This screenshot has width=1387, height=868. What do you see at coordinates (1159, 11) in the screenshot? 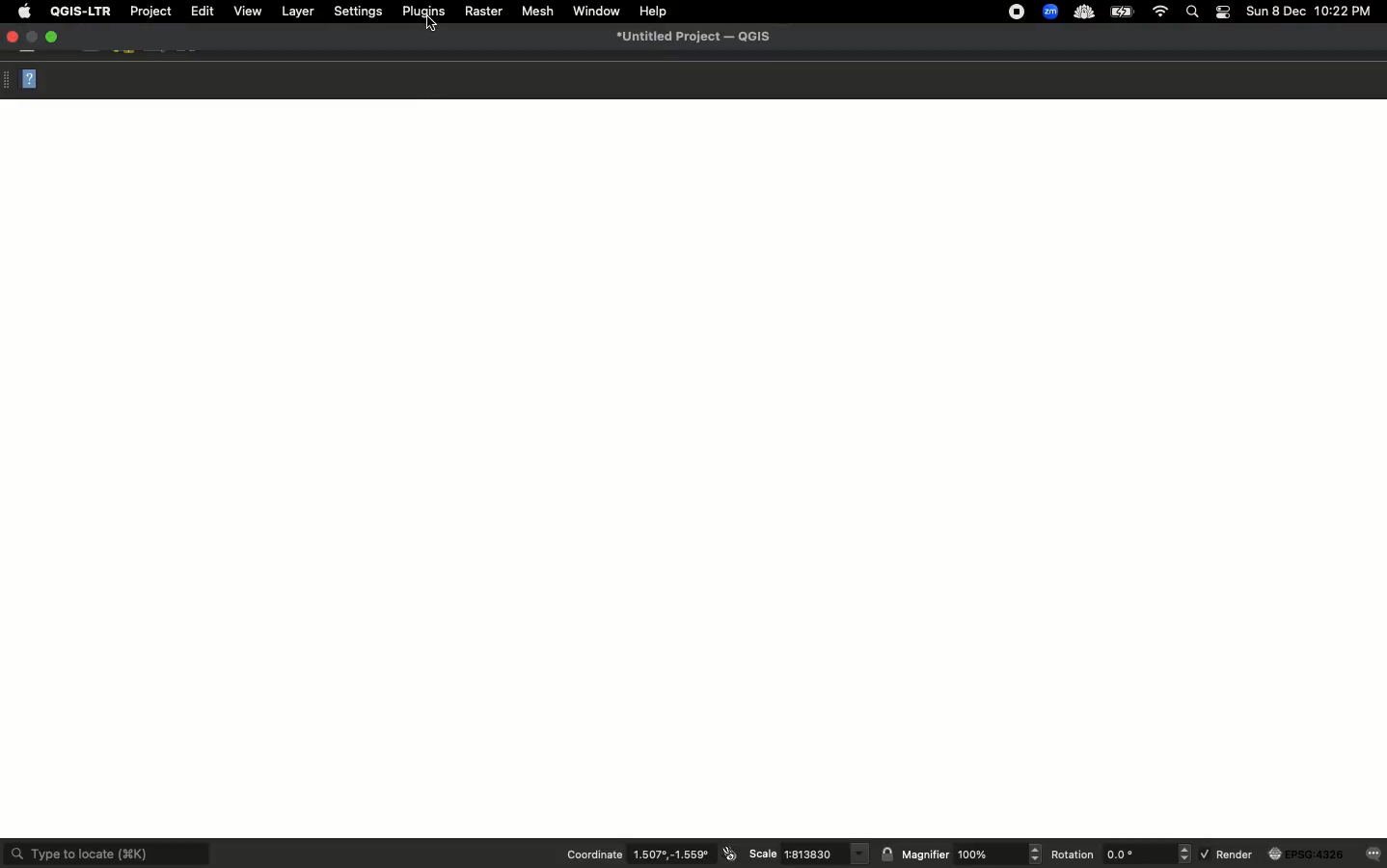
I see `Internet` at bounding box center [1159, 11].